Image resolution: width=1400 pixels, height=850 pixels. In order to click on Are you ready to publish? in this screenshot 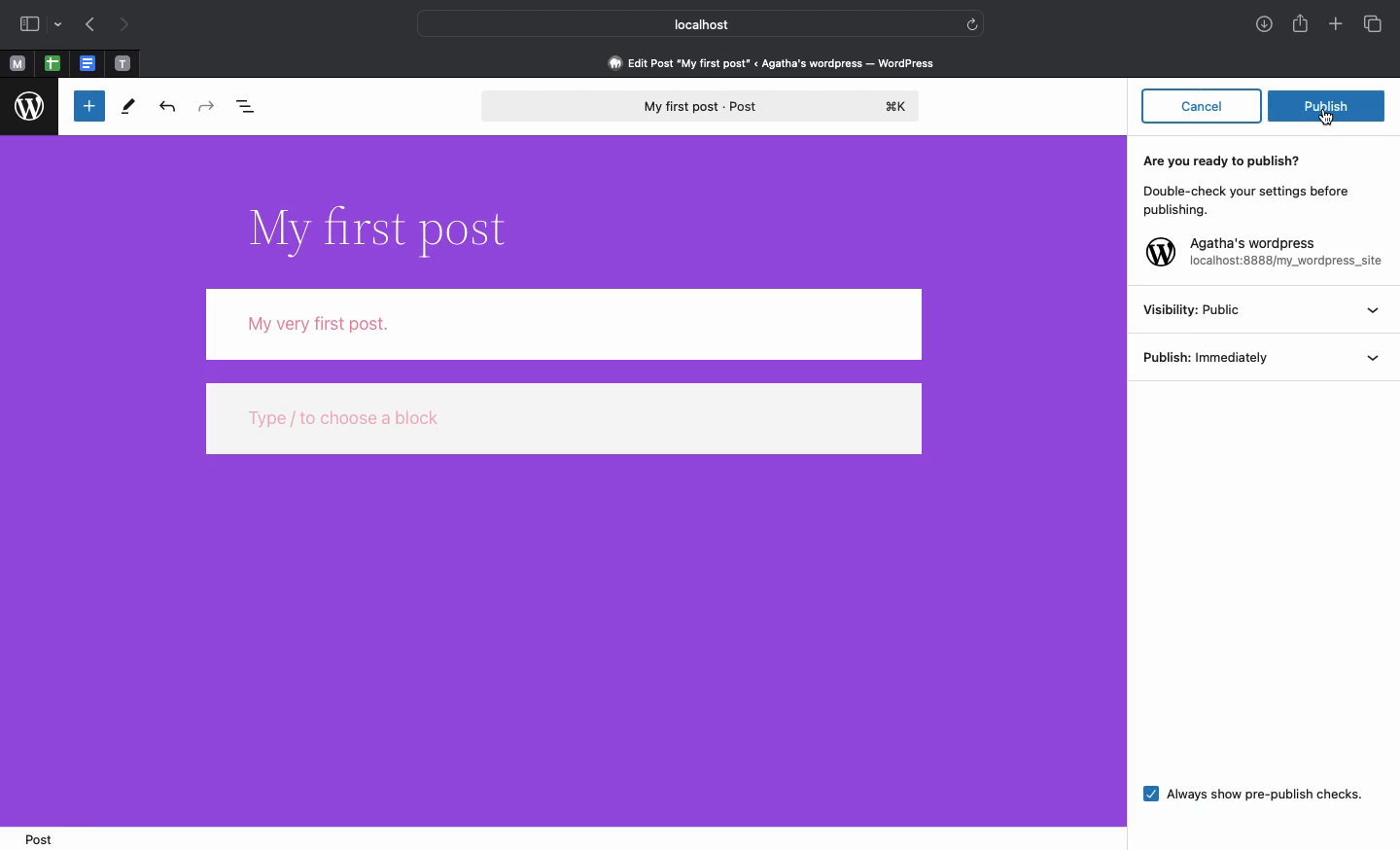, I will do `click(1225, 159)`.